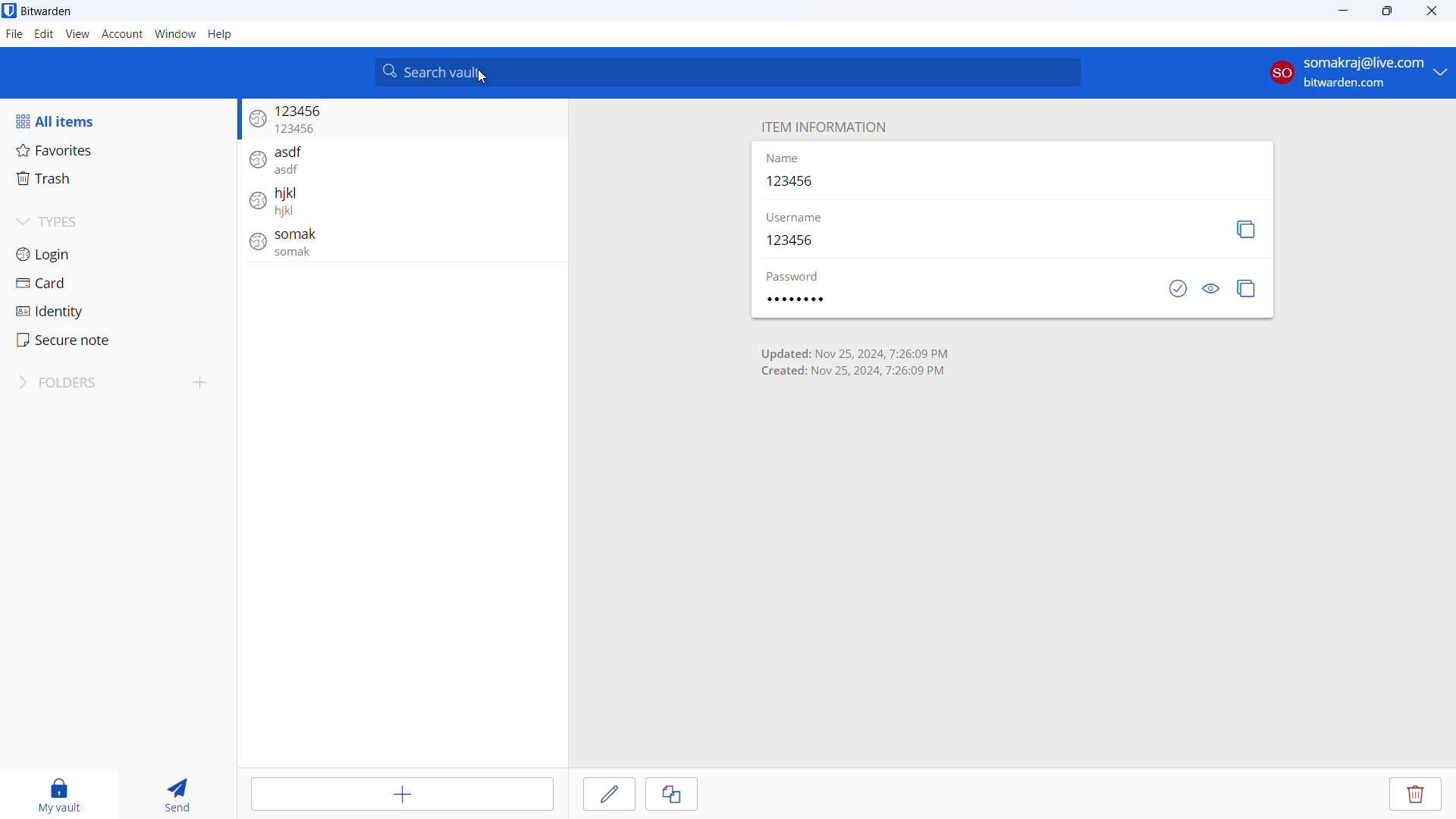  What do you see at coordinates (1212, 289) in the screenshot?
I see `toggle visibility` at bounding box center [1212, 289].